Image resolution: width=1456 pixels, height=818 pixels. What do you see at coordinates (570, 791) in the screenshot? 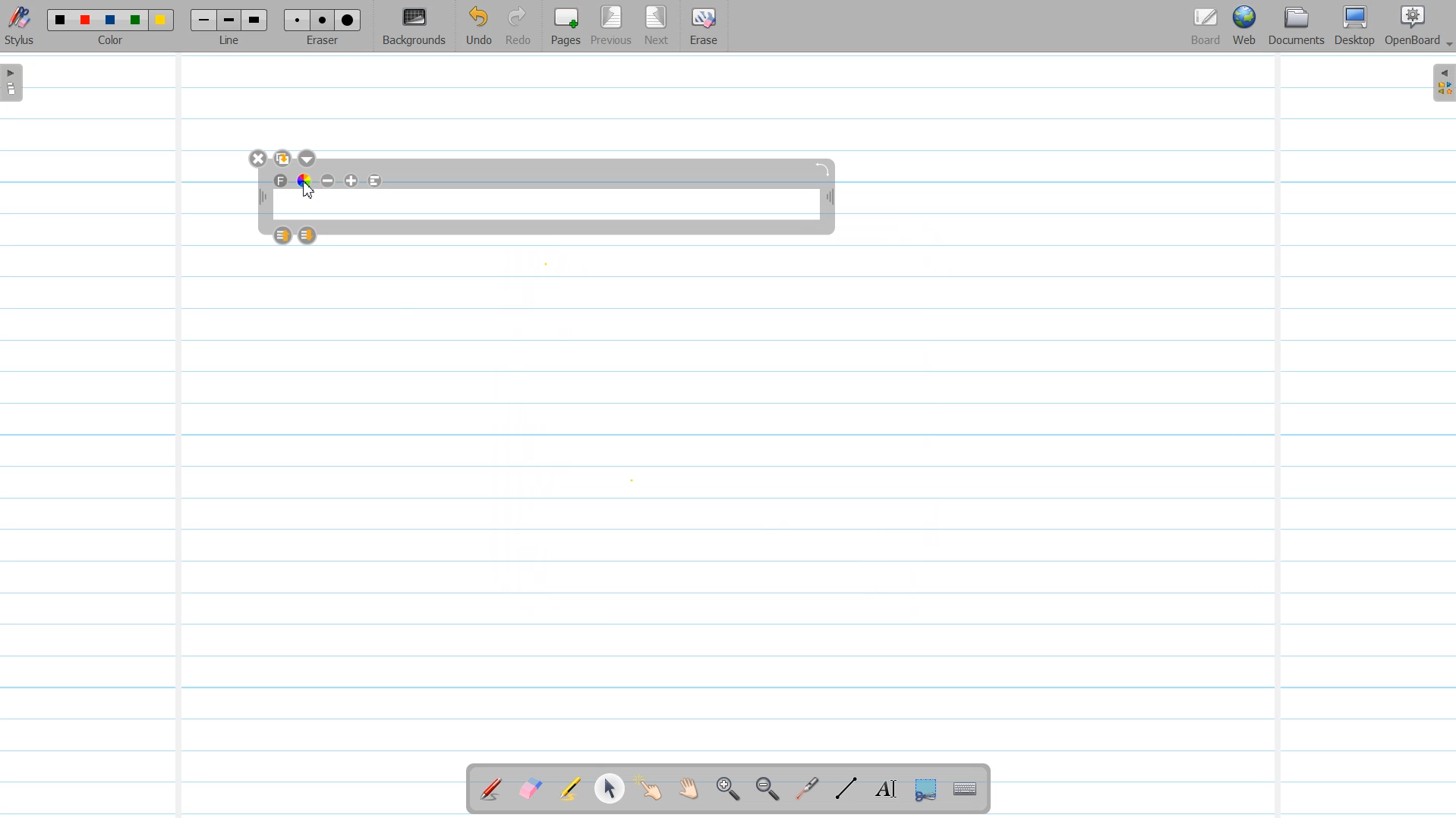
I see `Highlight` at bounding box center [570, 791].